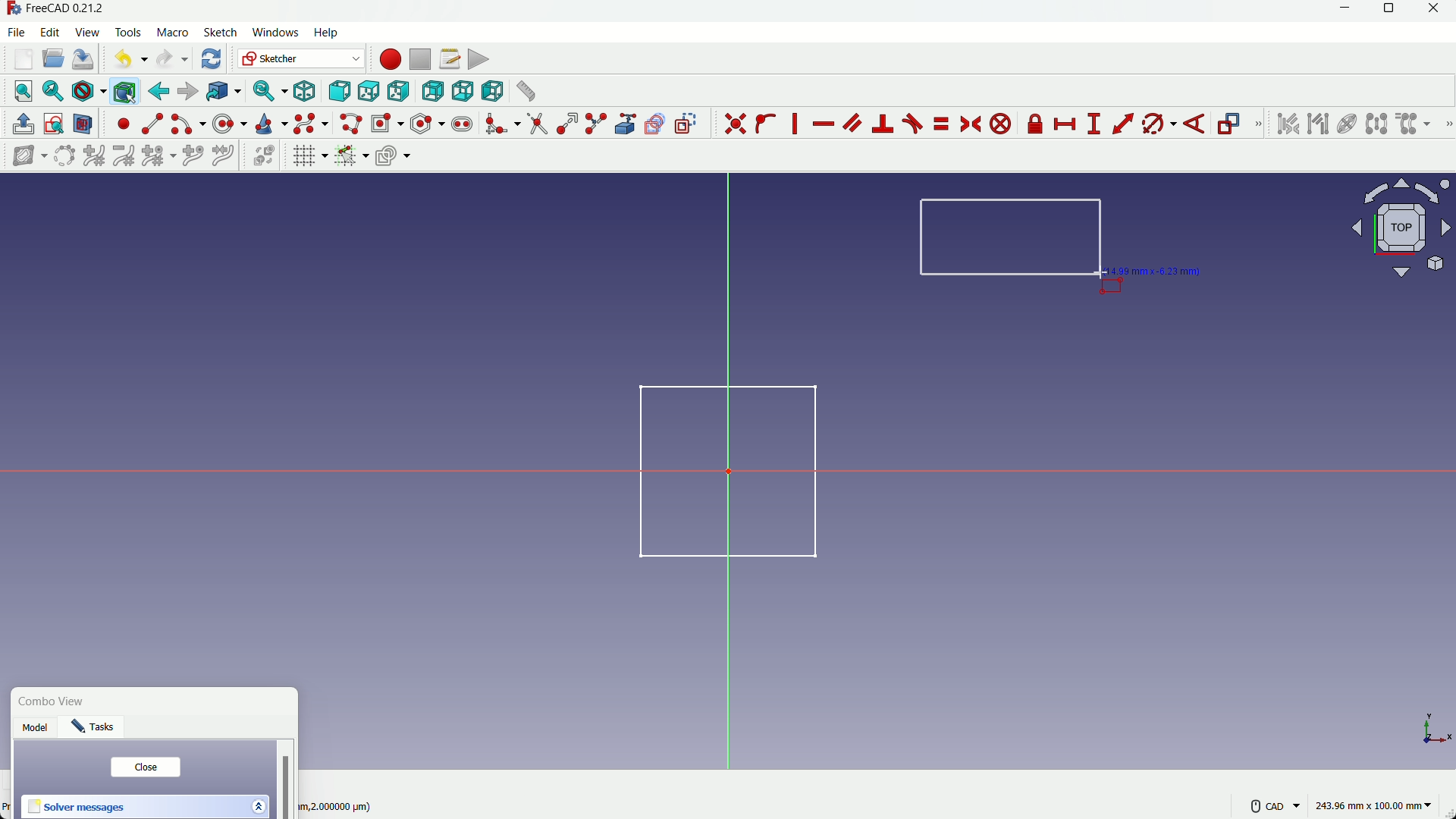 This screenshot has height=819, width=1456. What do you see at coordinates (852, 121) in the screenshot?
I see `constraint parallel` at bounding box center [852, 121].